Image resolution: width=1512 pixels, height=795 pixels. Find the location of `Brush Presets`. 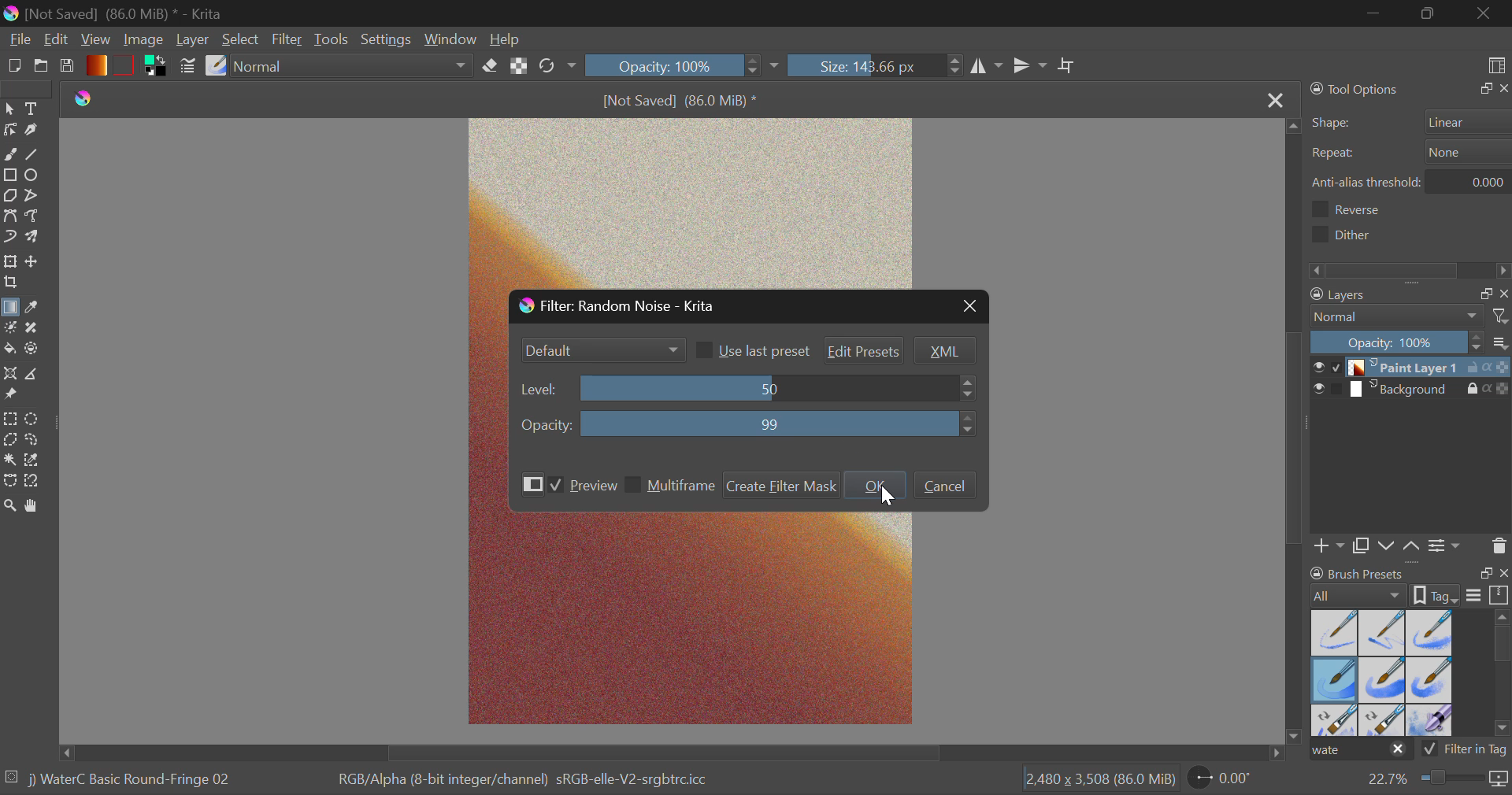

Brush Presets is located at coordinates (216, 67).